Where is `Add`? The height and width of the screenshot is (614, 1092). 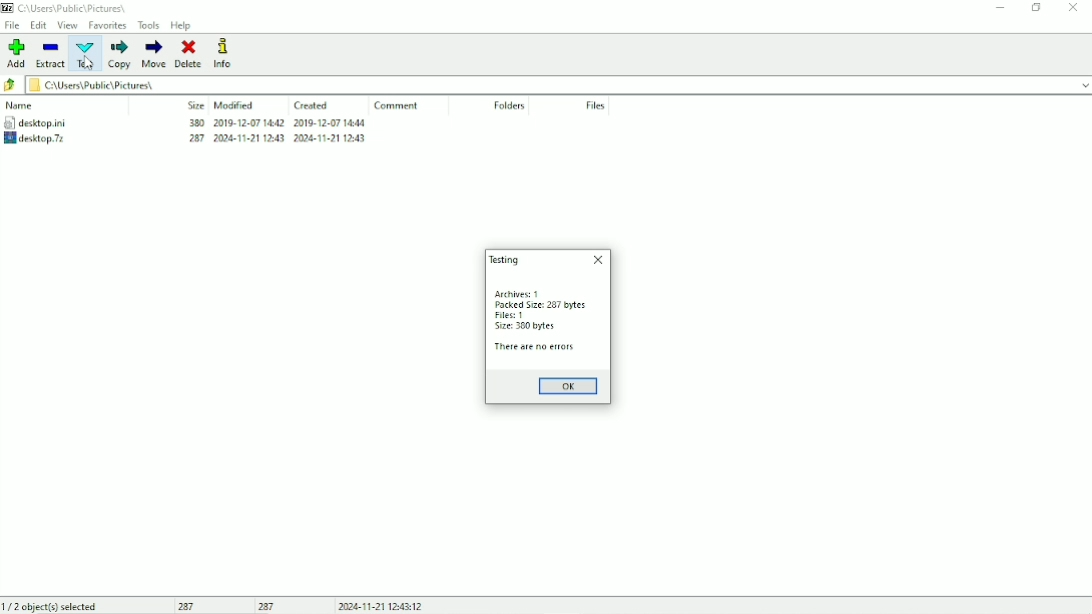
Add is located at coordinates (17, 54).